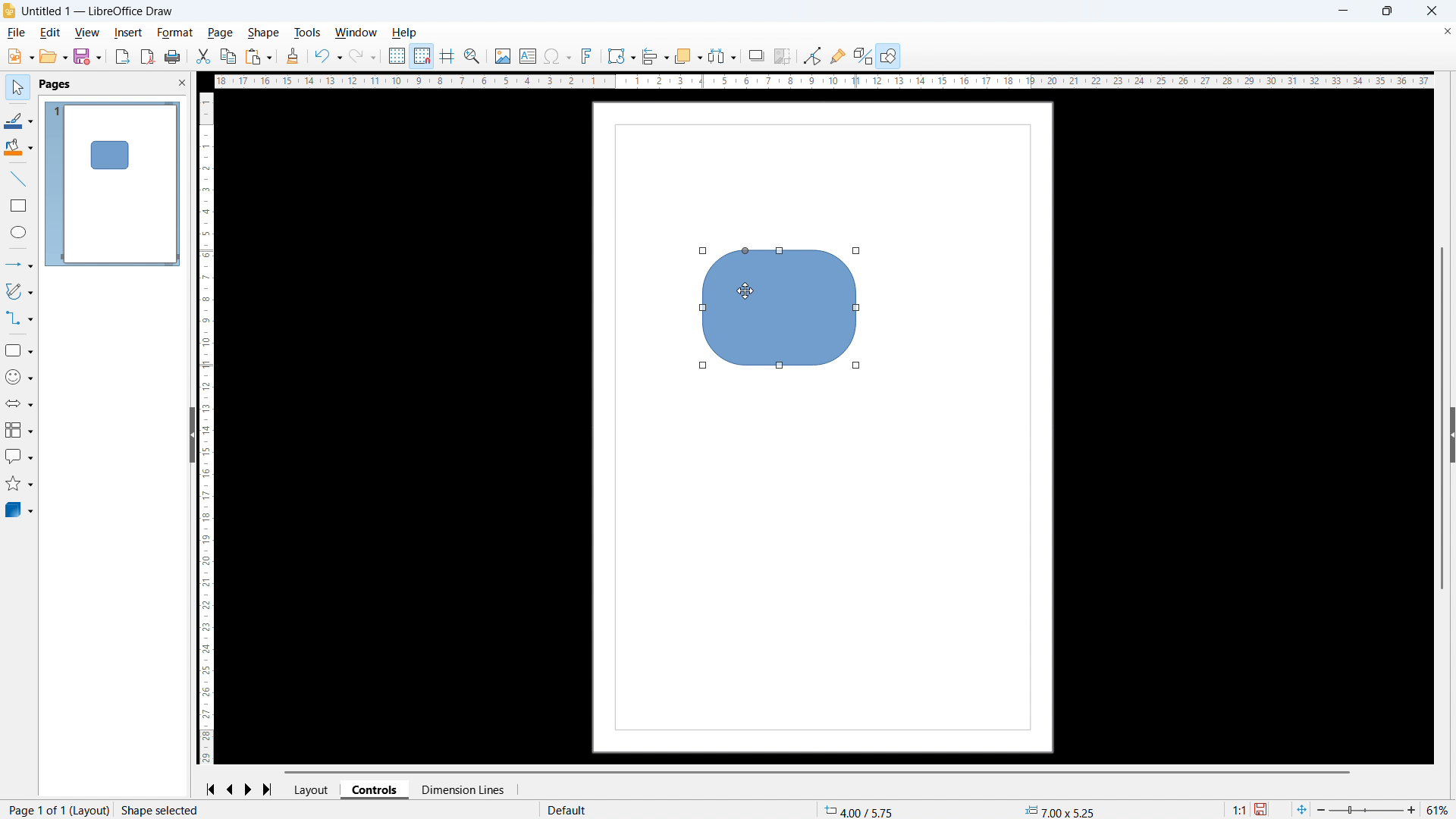 The height and width of the screenshot is (819, 1456). I want to click on Ellipse , so click(19, 232).